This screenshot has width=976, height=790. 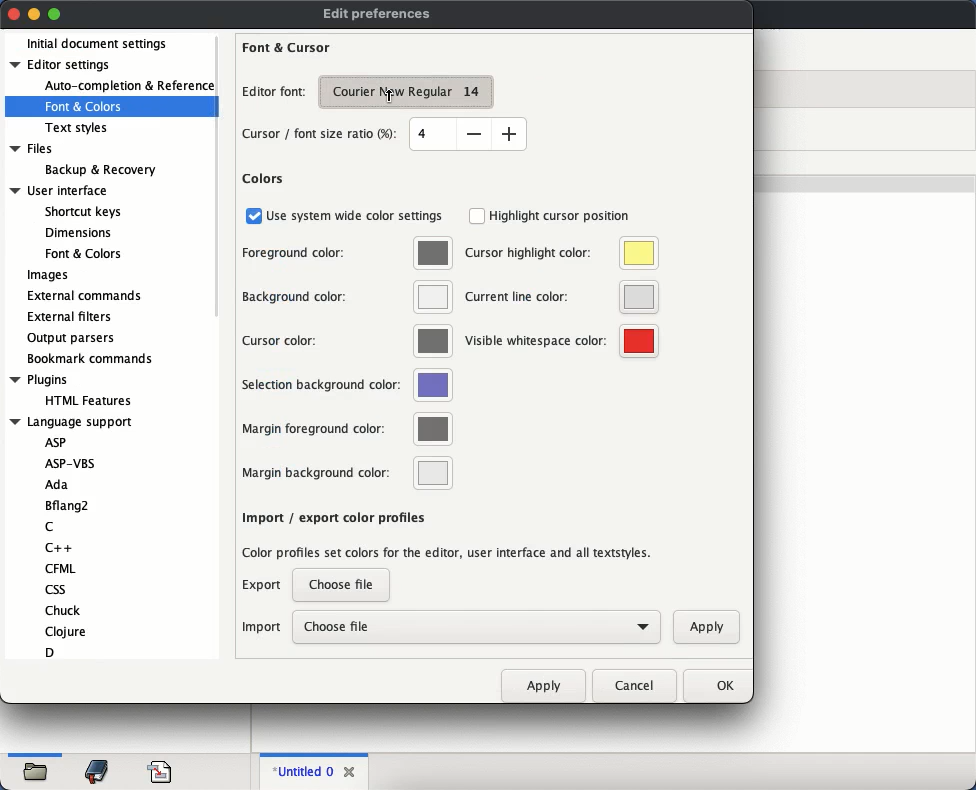 What do you see at coordinates (221, 178) in the screenshot?
I see `scroll` at bounding box center [221, 178].